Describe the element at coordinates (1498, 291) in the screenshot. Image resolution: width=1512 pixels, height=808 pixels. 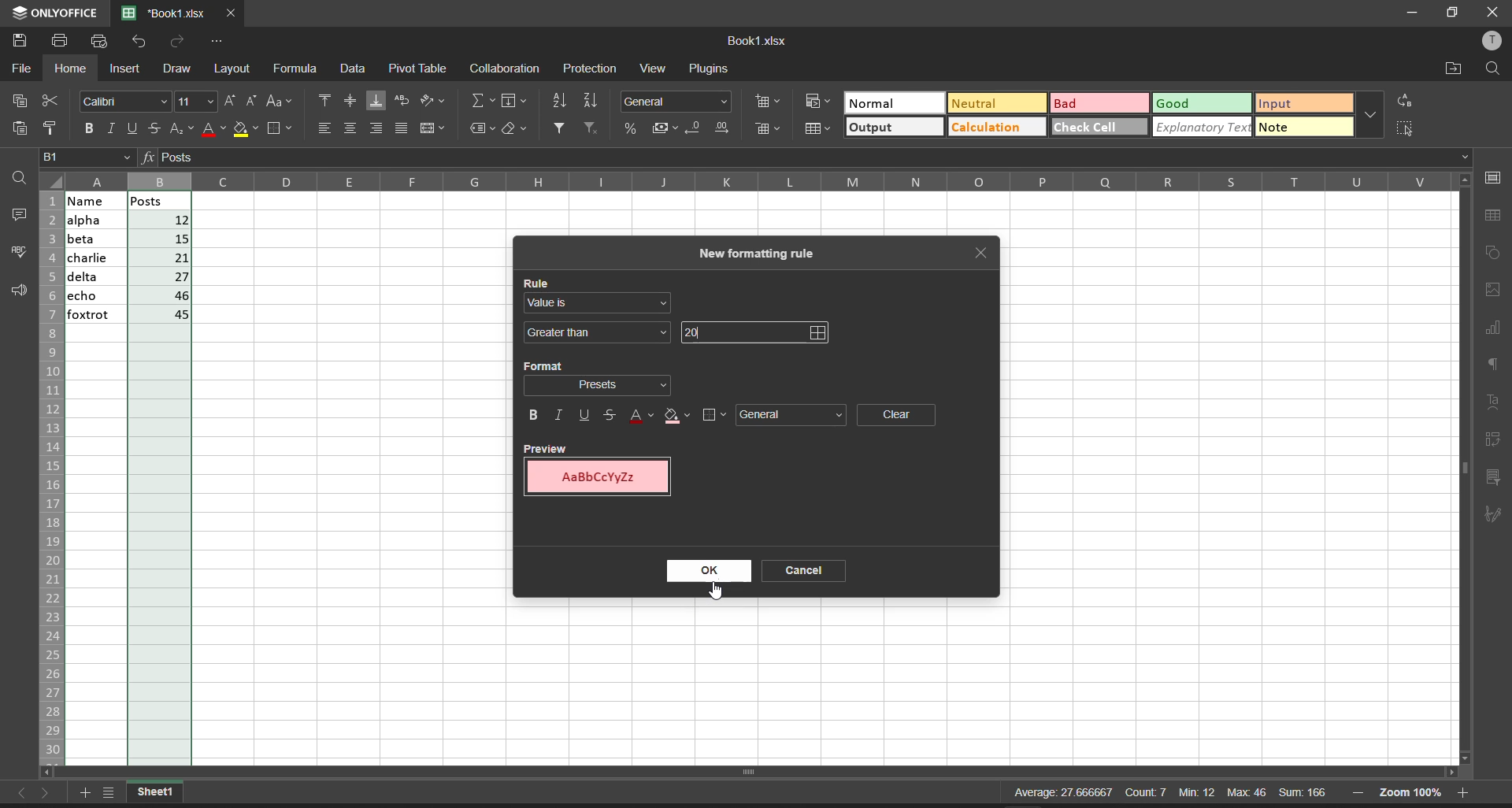
I see `image settings` at that location.